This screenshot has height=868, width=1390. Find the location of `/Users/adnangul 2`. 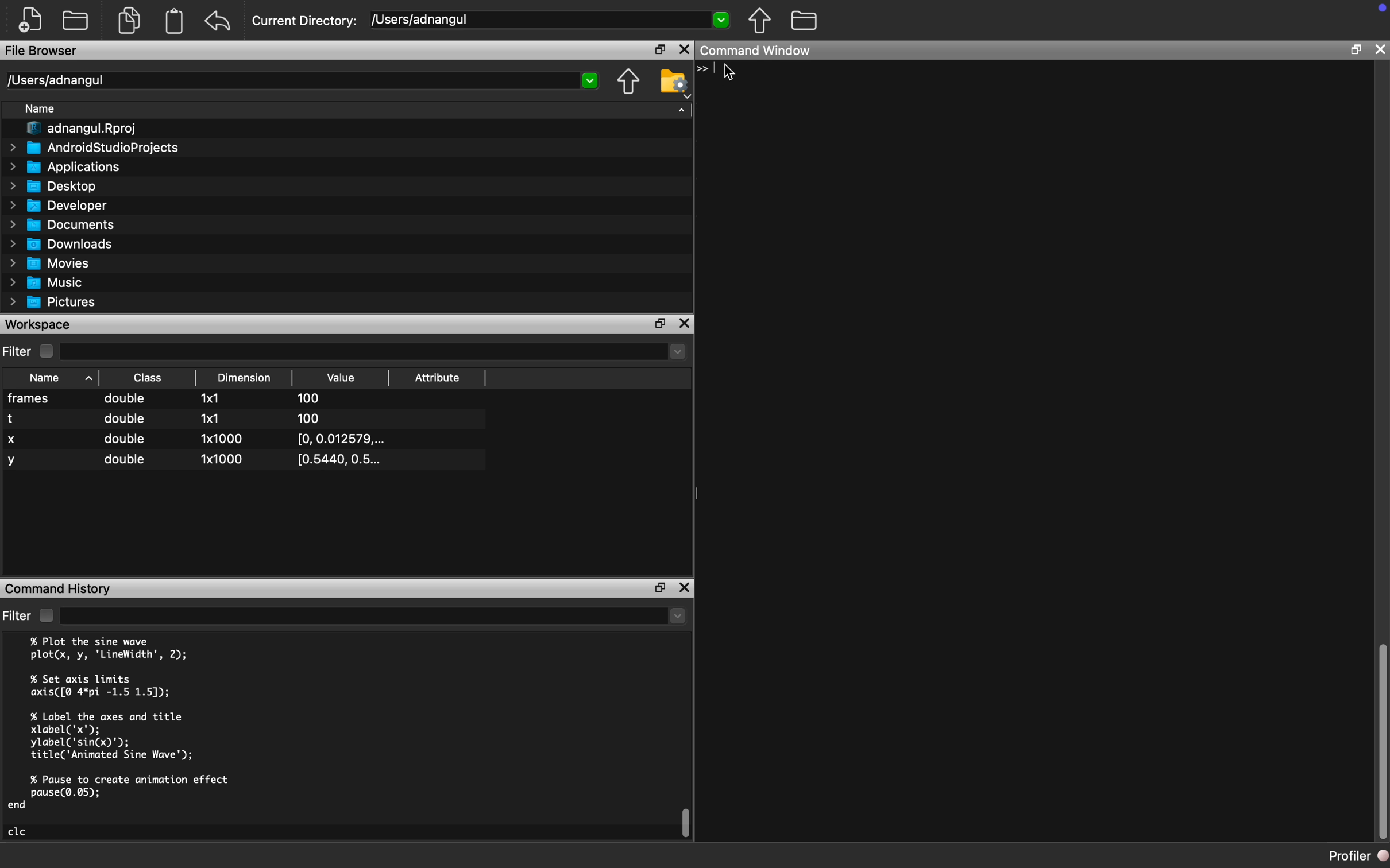

/Users/adnangul 2 is located at coordinates (306, 81).